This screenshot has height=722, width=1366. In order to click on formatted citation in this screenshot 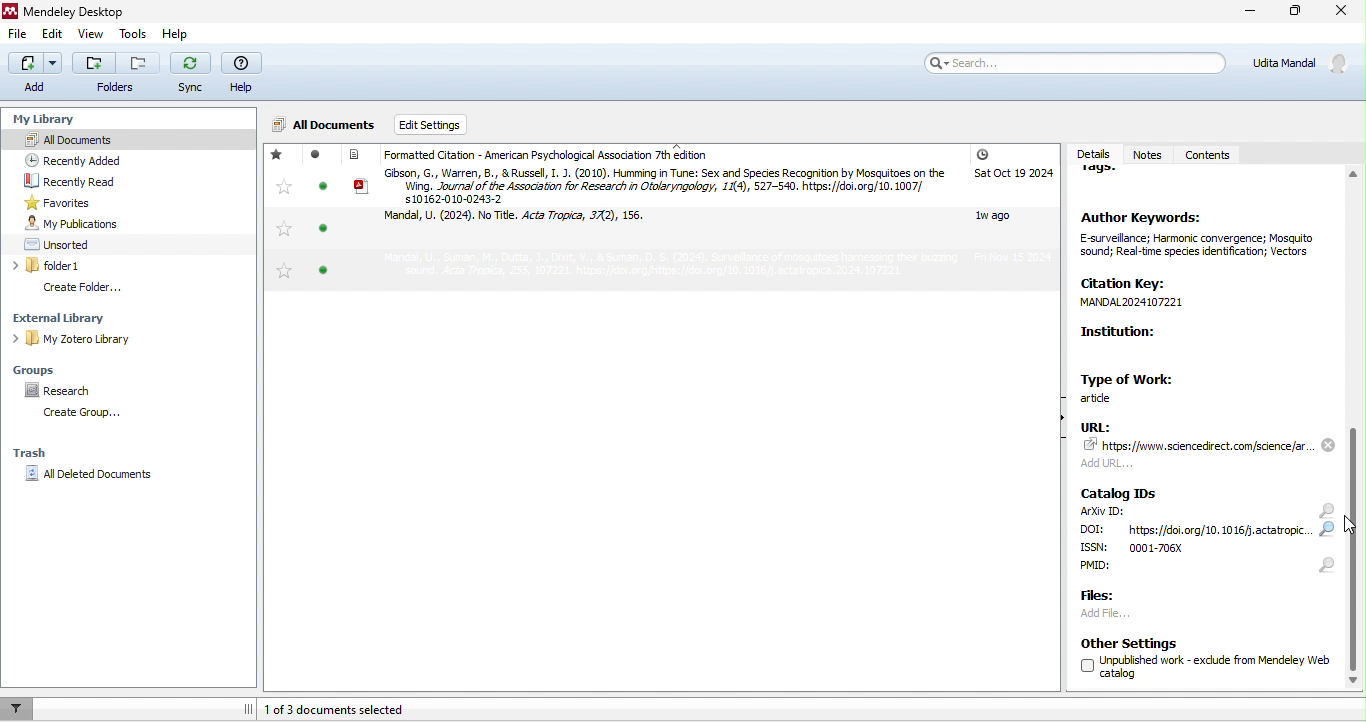, I will do `click(538, 155)`.